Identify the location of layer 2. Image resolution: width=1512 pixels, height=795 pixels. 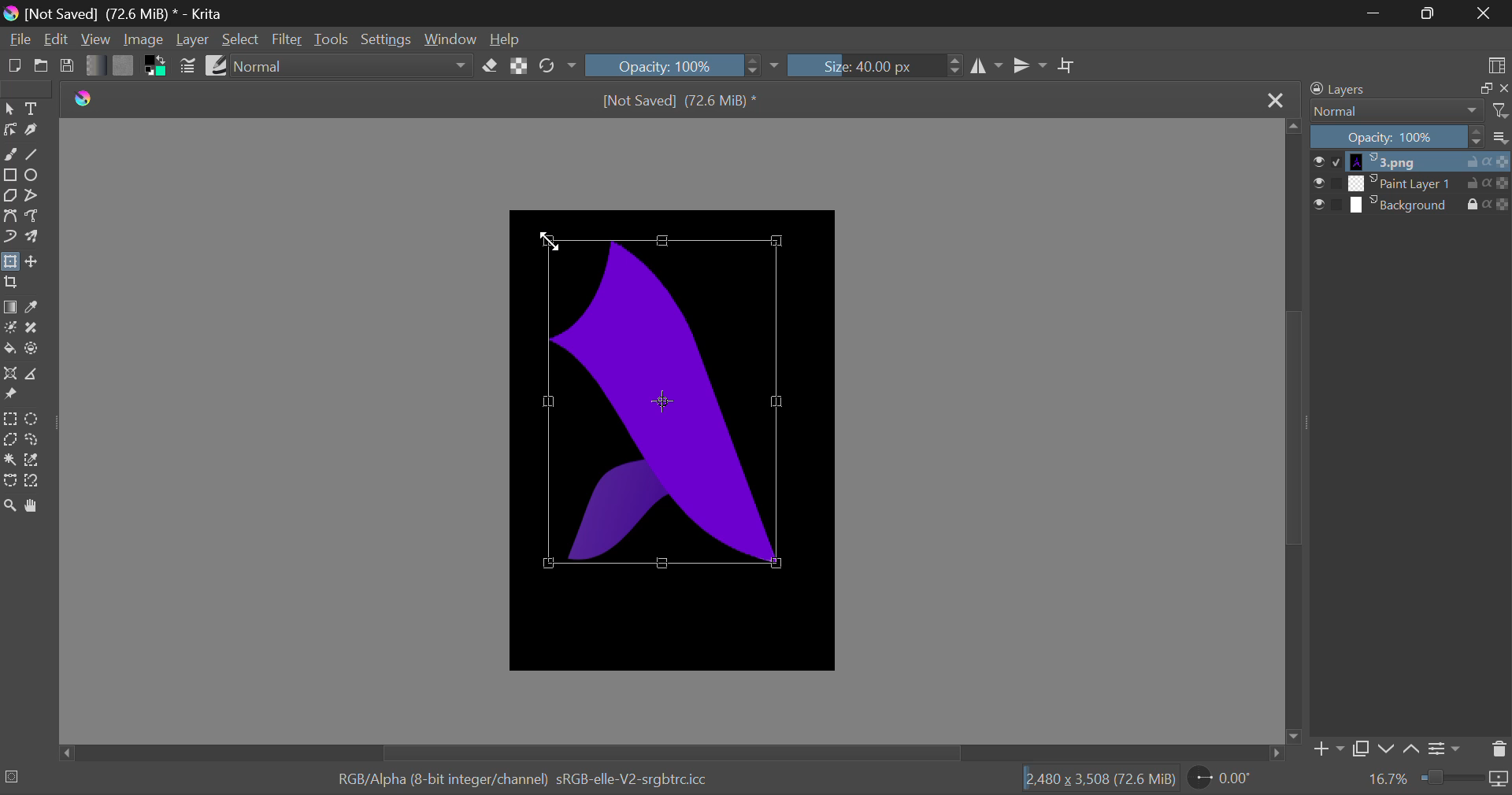
(1402, 183).